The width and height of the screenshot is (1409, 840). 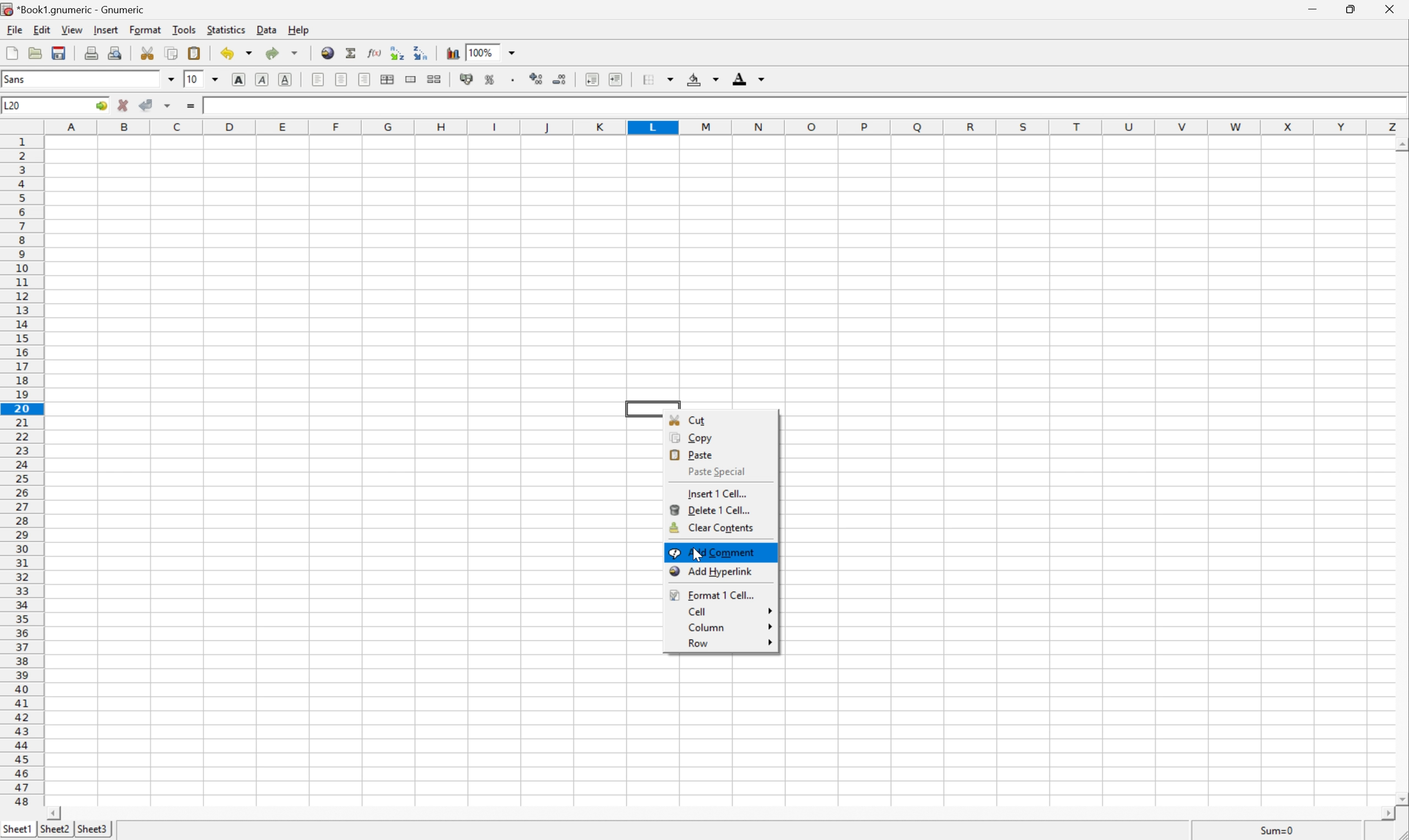 What do you see at coordinates (374, 52) in the screenshot?
I see `Edit function in current cell` at bounding box center [374, 52].